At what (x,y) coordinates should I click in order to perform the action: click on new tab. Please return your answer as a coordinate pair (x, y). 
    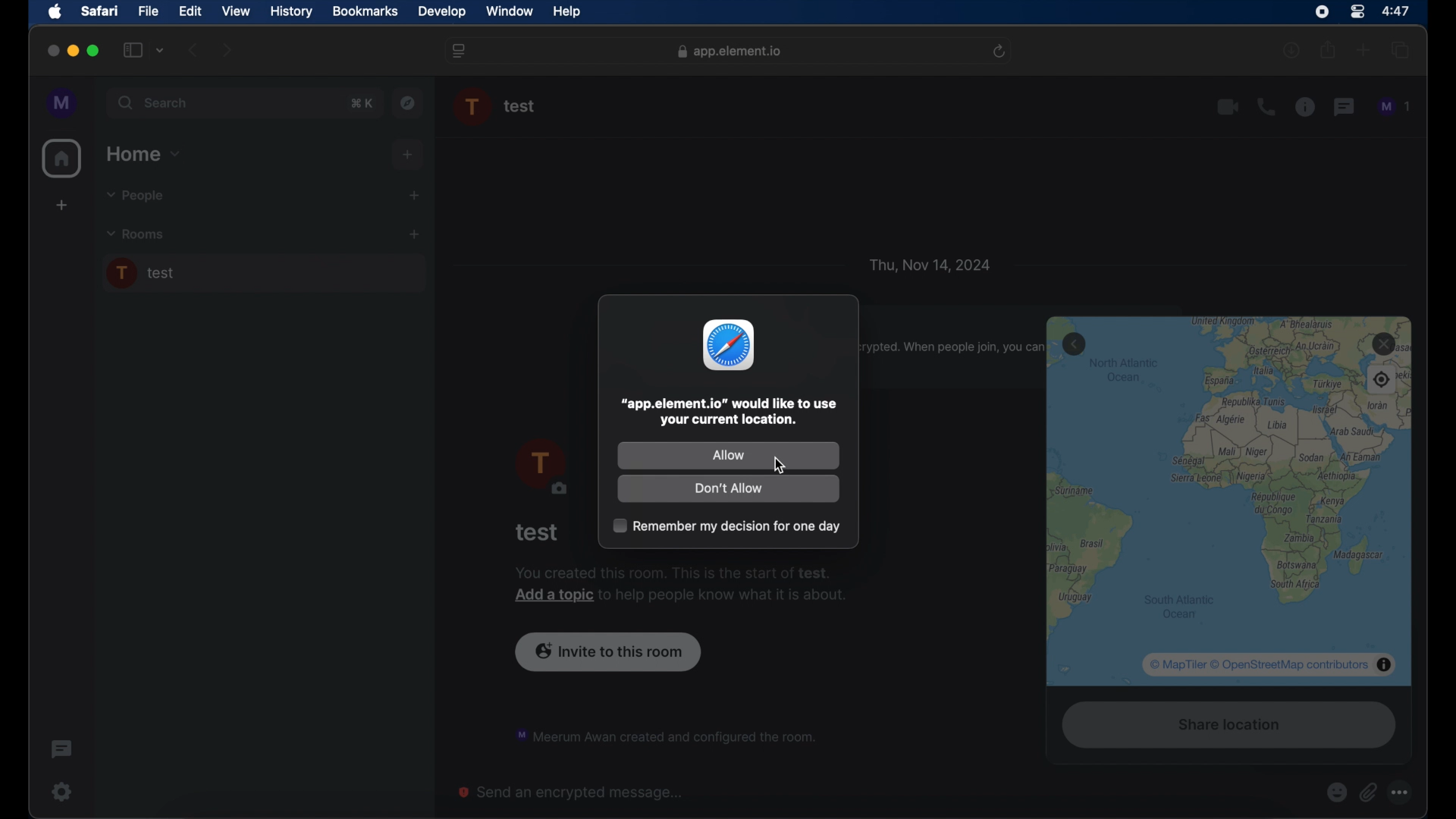
    Looking at the image, I should click on (1363, 50).